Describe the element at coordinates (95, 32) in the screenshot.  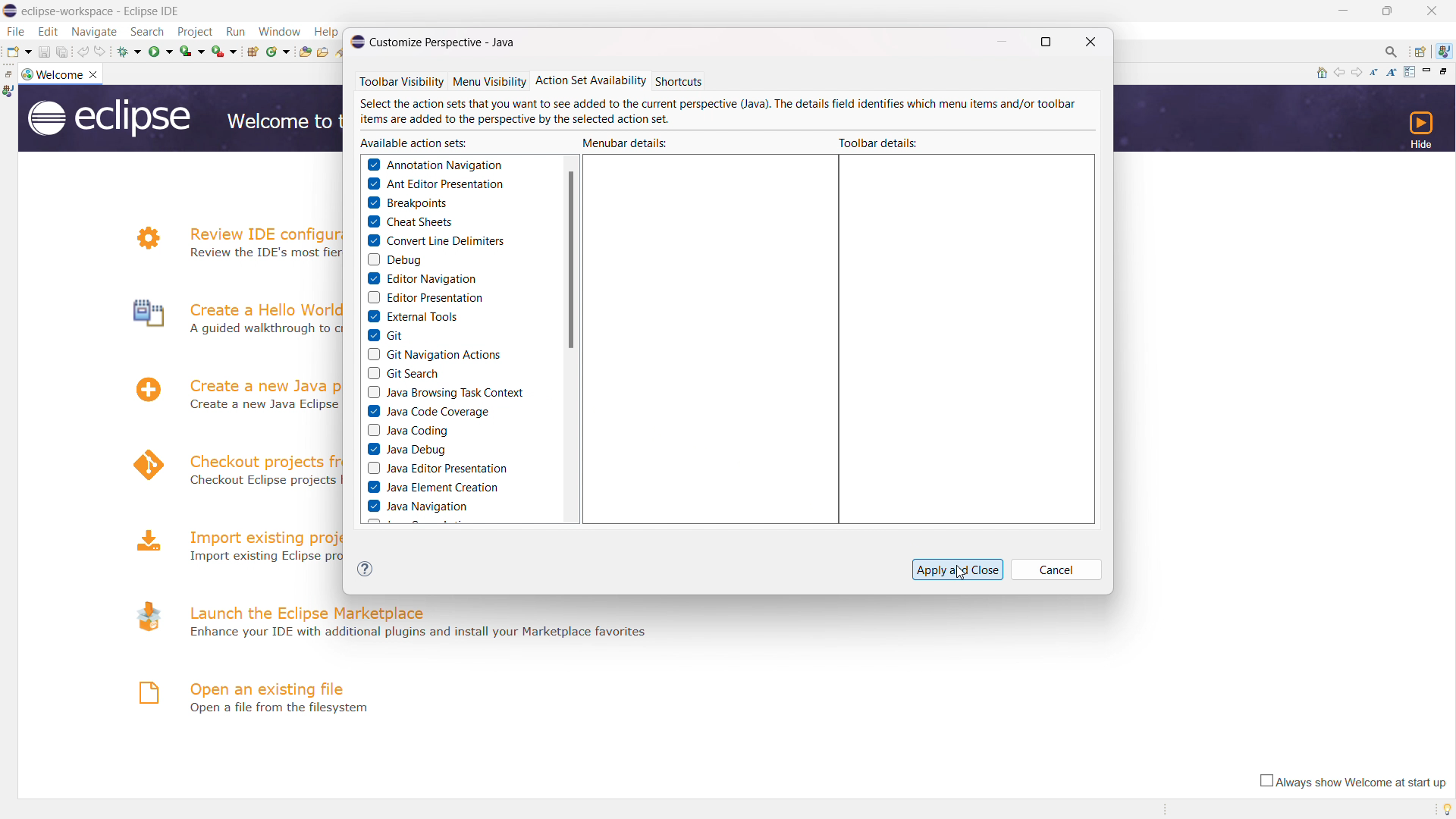
I see `navigate` at that location.